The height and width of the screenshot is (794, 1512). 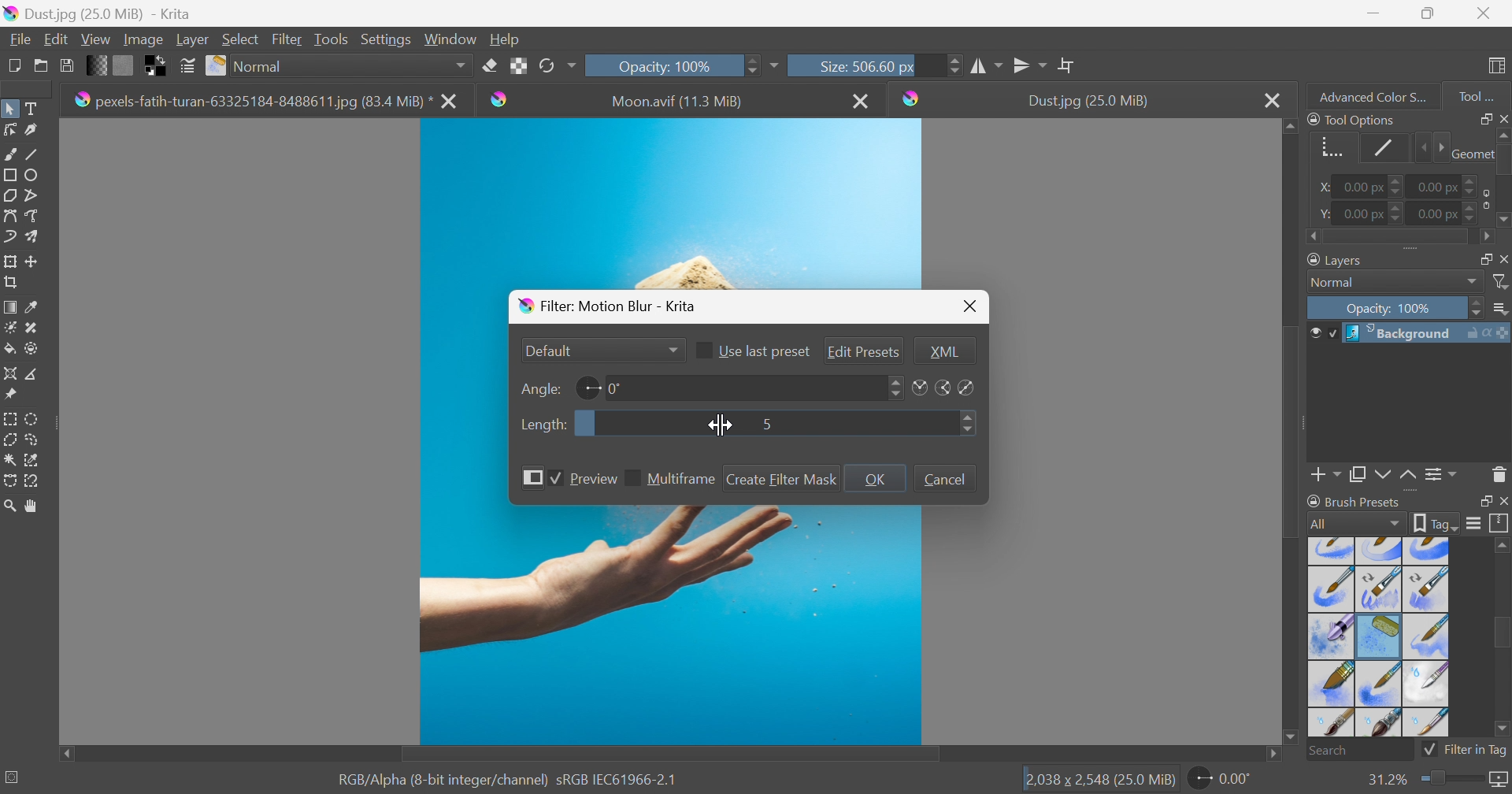 I want to click on Delete, so click(x=1499, y=473).